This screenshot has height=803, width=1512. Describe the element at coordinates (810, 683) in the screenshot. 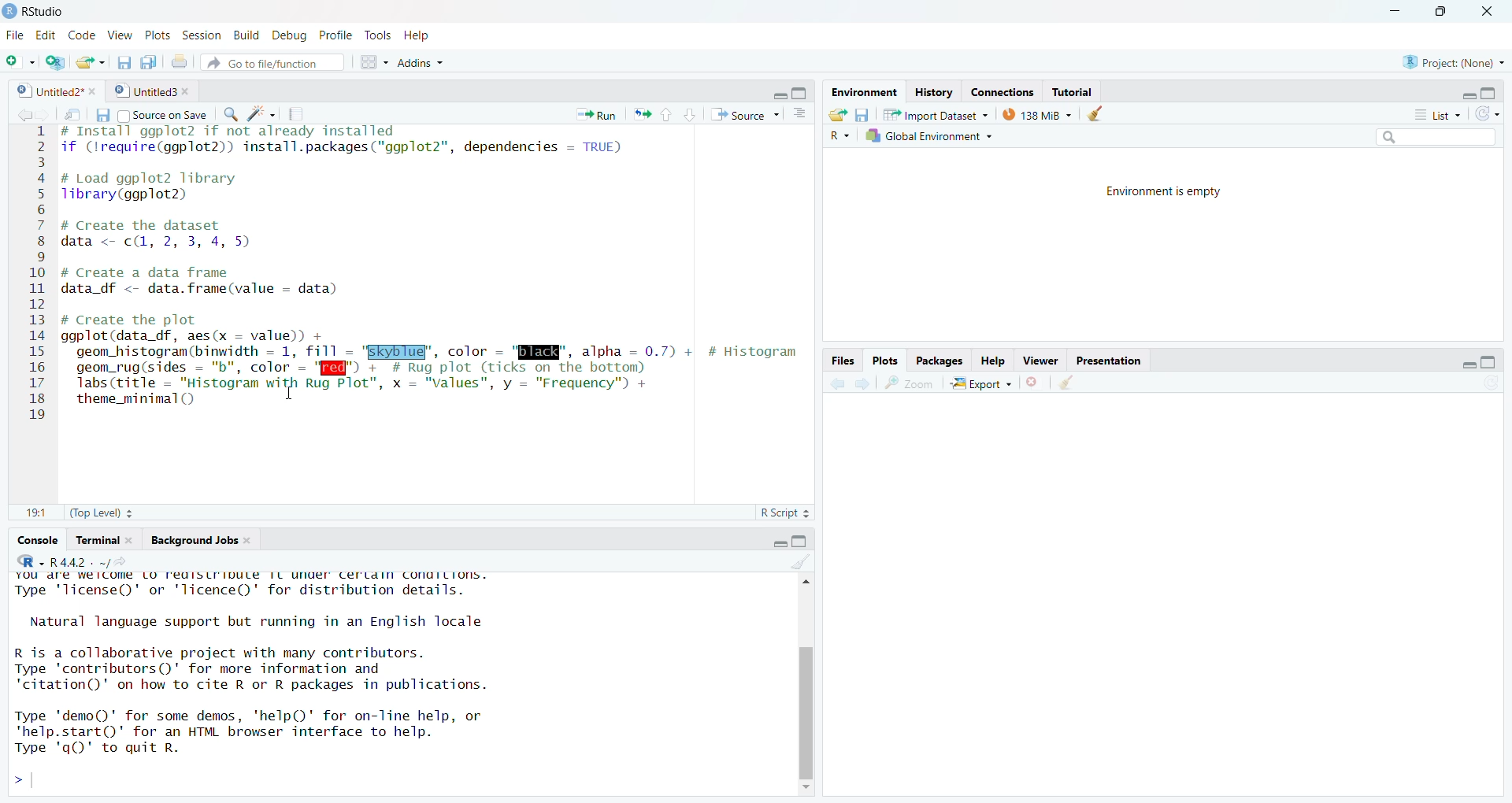

I see `Scroll bar` at that location.